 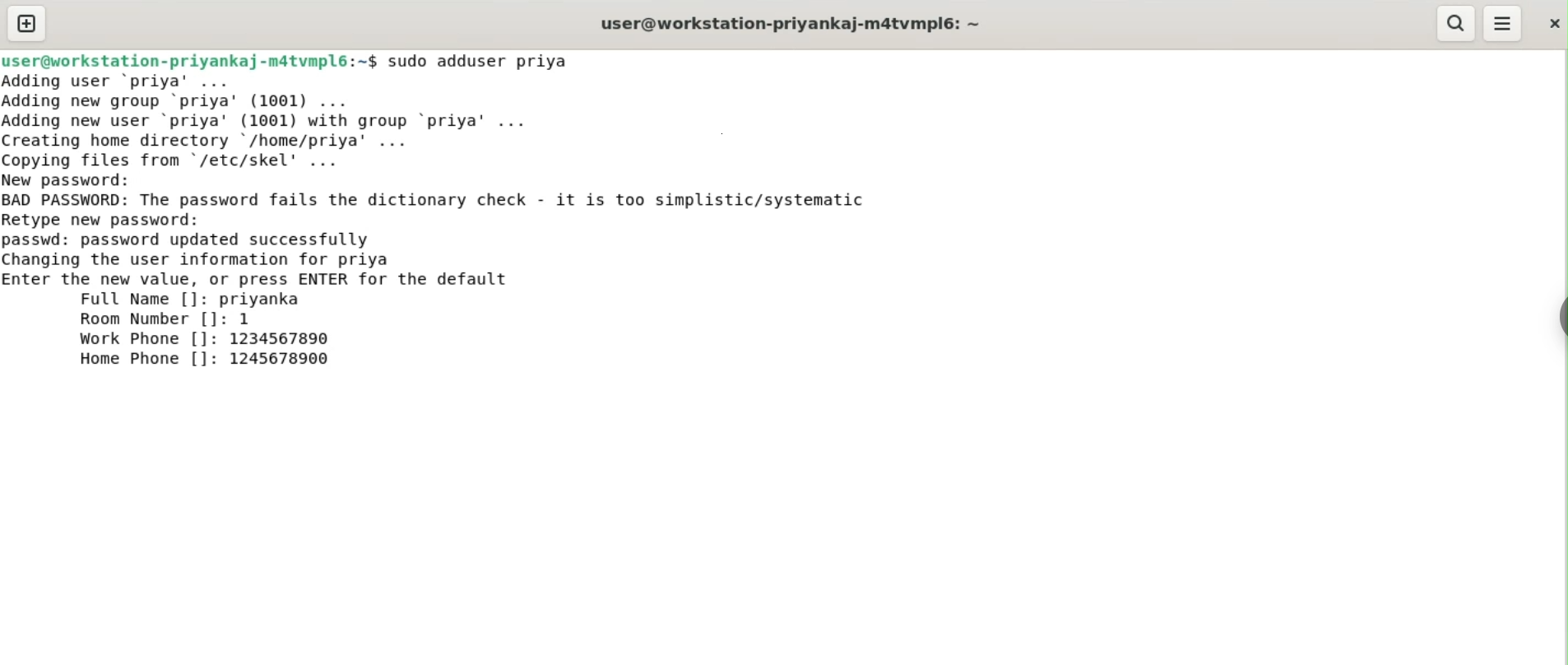 What do you see at coordinates (1552, 19) in the screenshot?
I see `close` at bounding box center [1552, 19].